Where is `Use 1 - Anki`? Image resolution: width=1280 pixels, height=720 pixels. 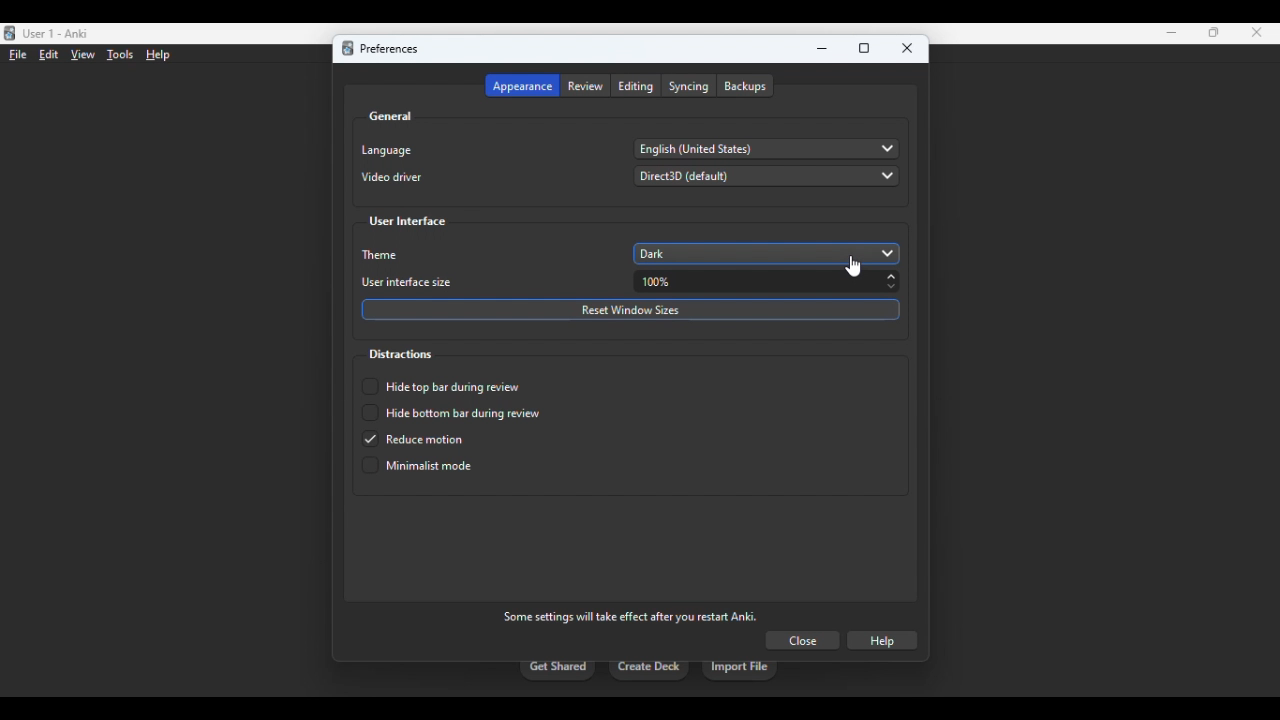 Use 1 - Anki is located at coordinates (55, 34).